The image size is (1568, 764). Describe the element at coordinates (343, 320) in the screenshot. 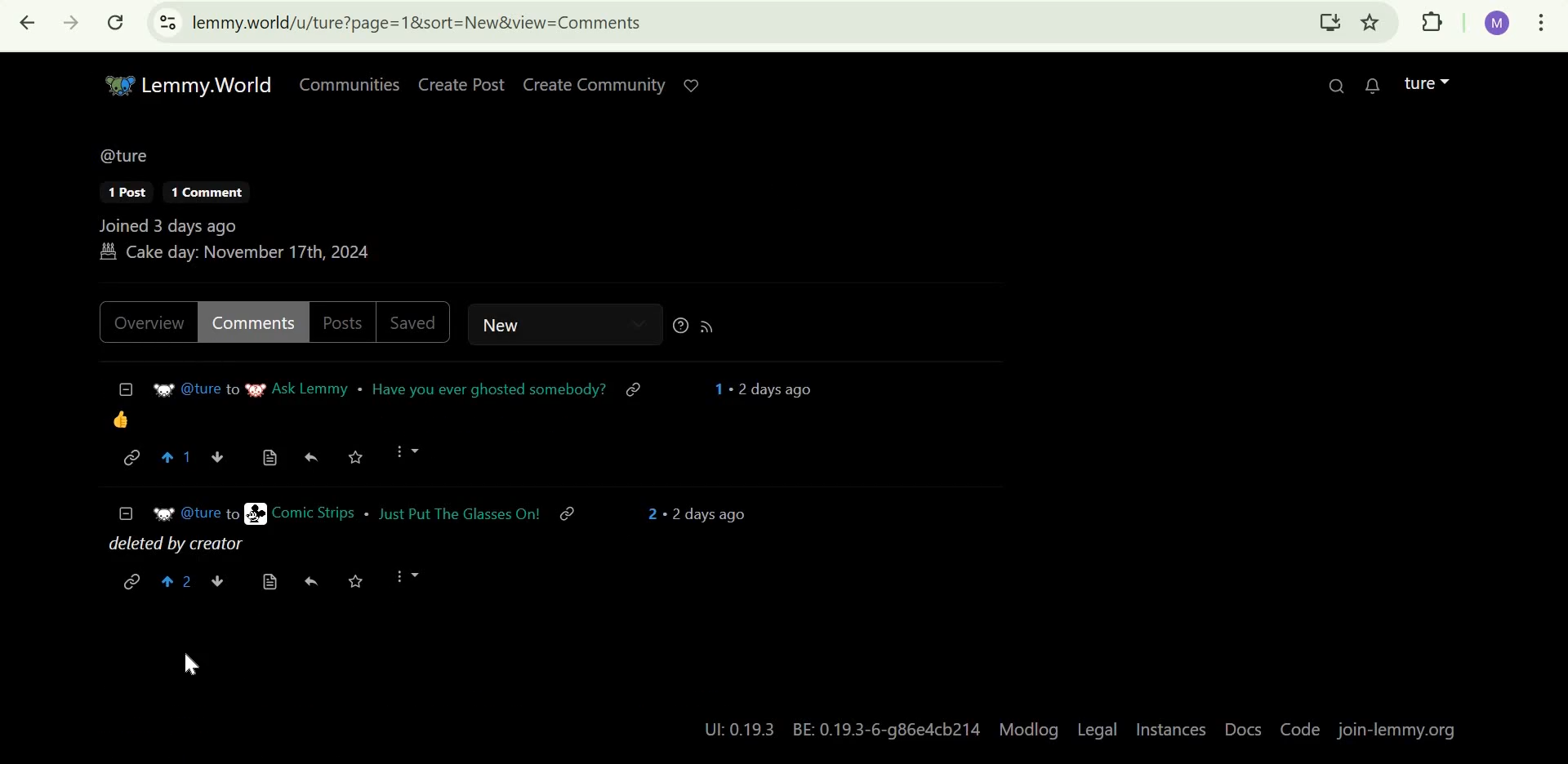

I see `posts` at that location.